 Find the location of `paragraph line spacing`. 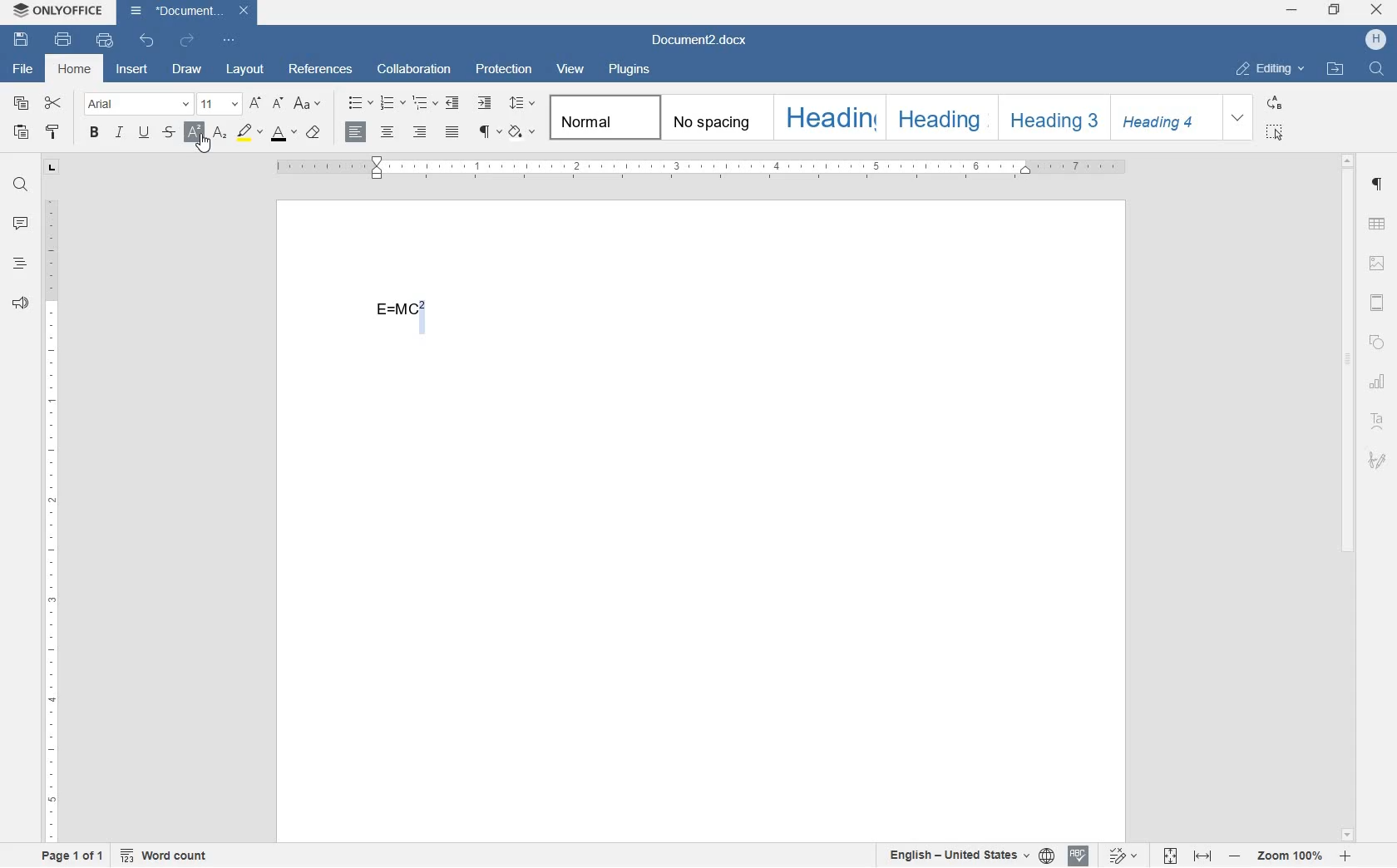

paragraph line spacing is located at coordinates (521, 103).